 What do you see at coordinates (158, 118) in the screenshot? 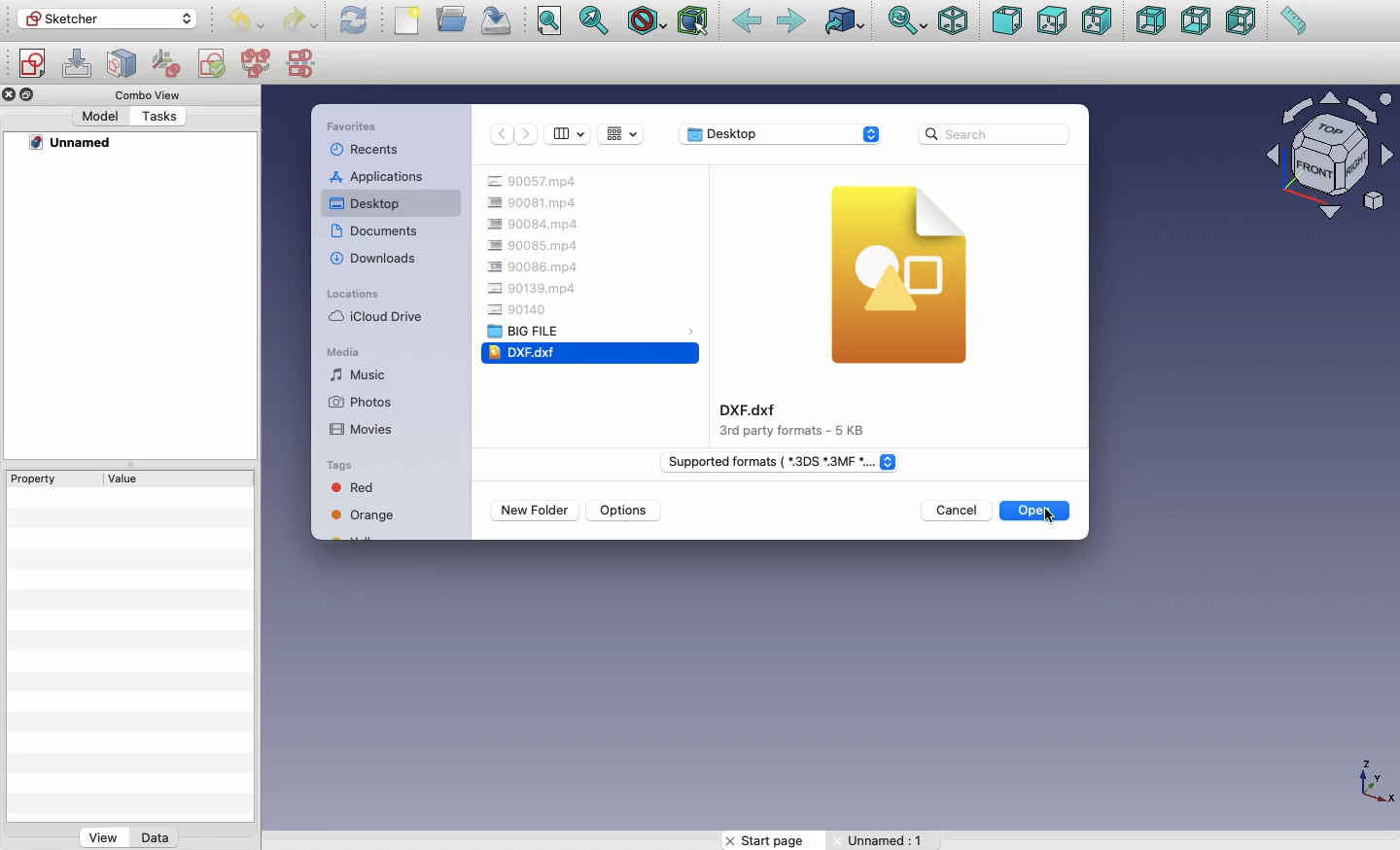
I see `Tasks` at bounding box center [158, 118].